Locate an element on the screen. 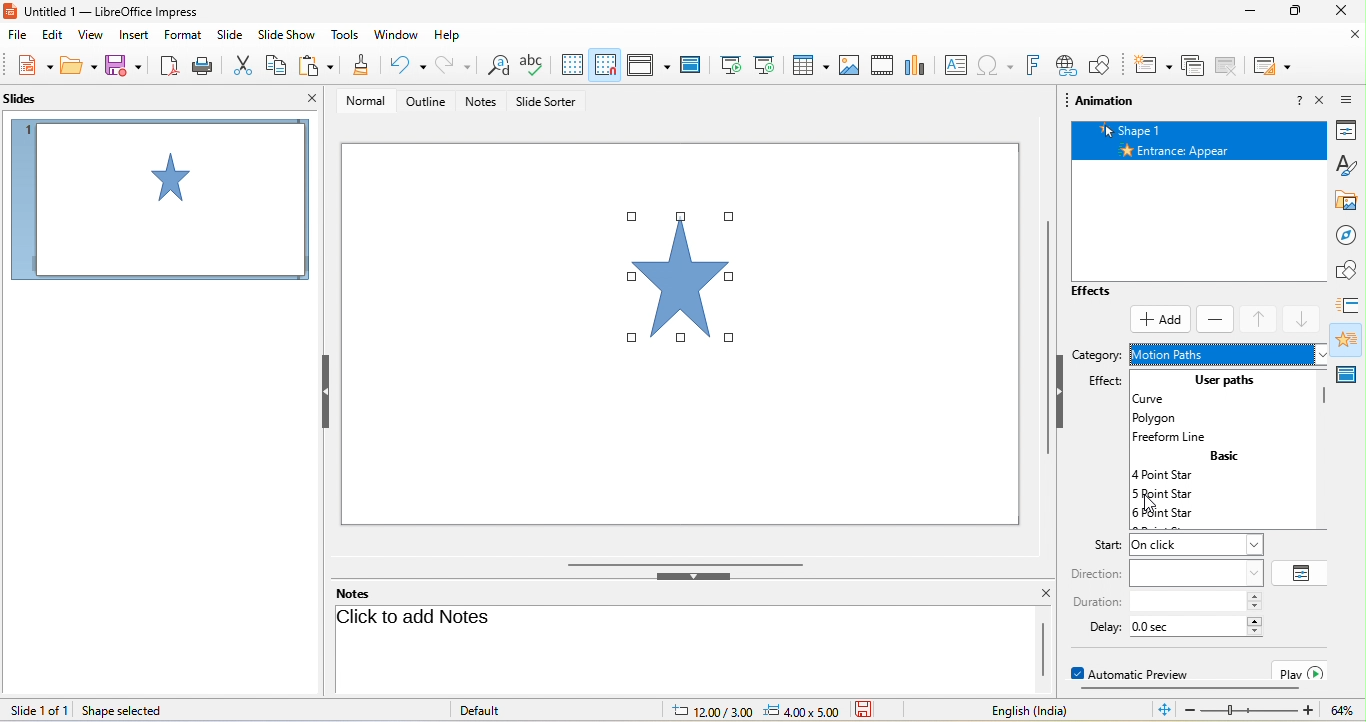  help is located at coordinates (448, 36).